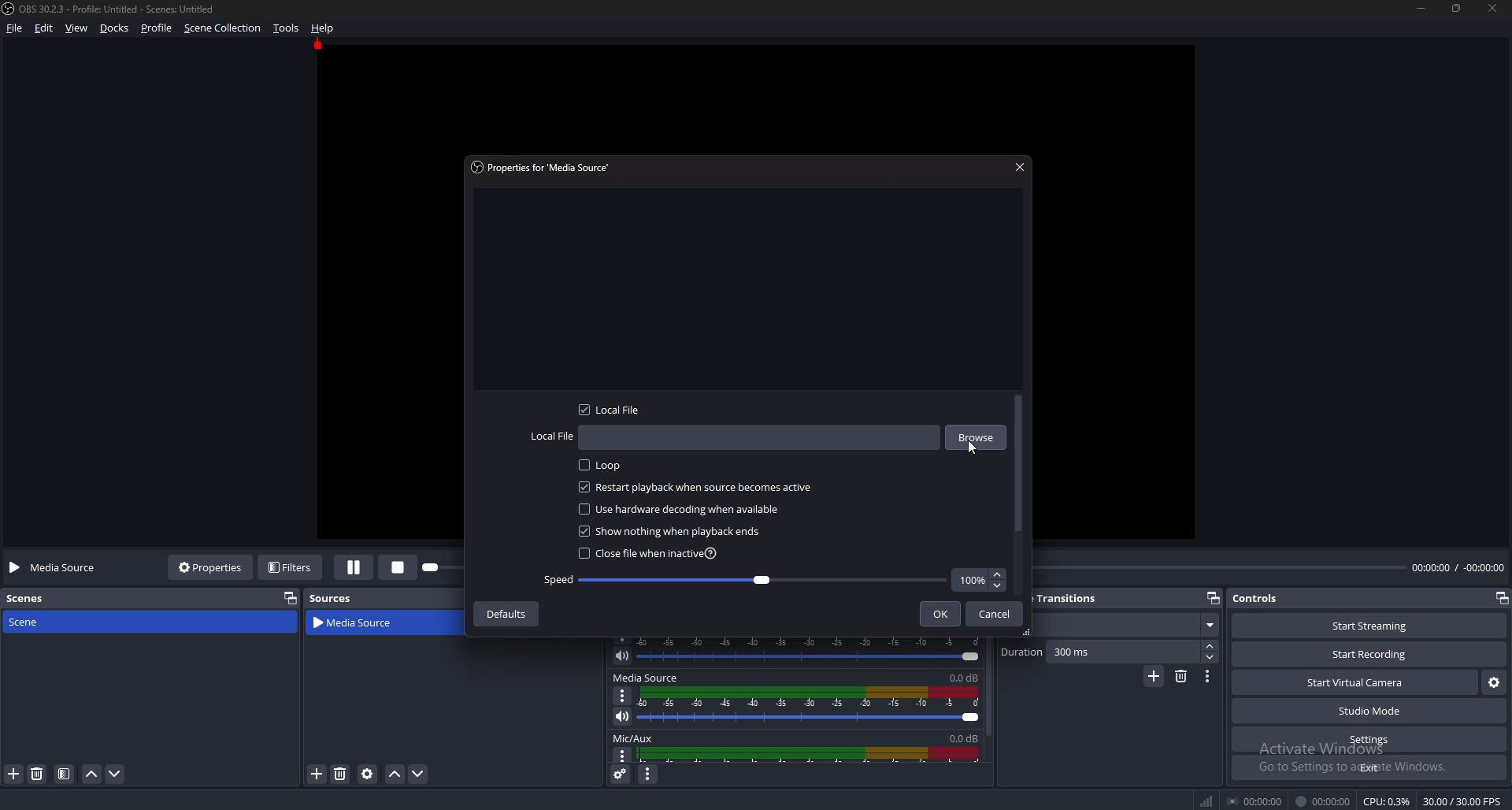 This screenshot has width=1512, height=810. I want to click on help, so click(323, 28).